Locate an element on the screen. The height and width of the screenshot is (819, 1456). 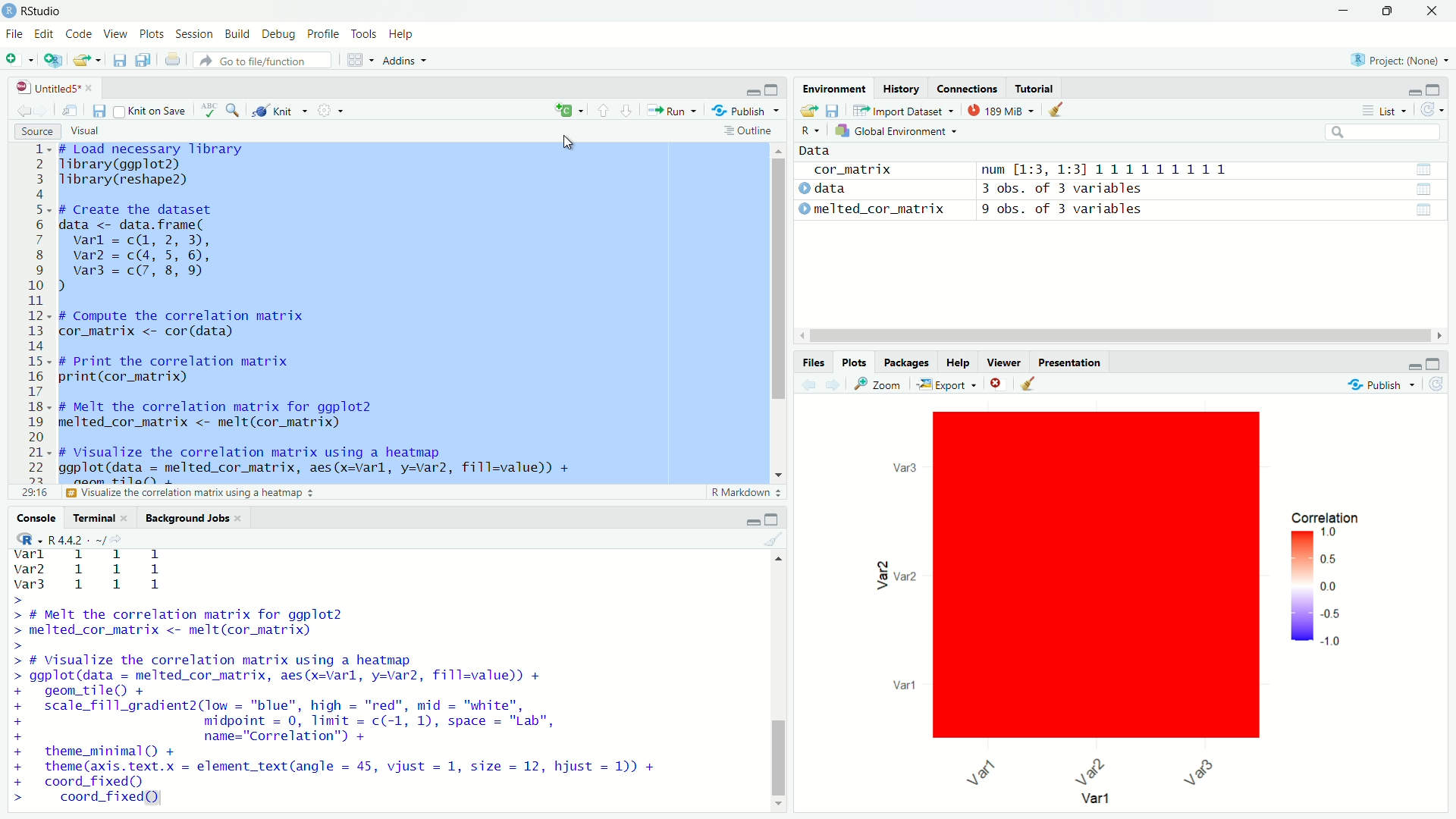
code is located at coordinates (80, 34).